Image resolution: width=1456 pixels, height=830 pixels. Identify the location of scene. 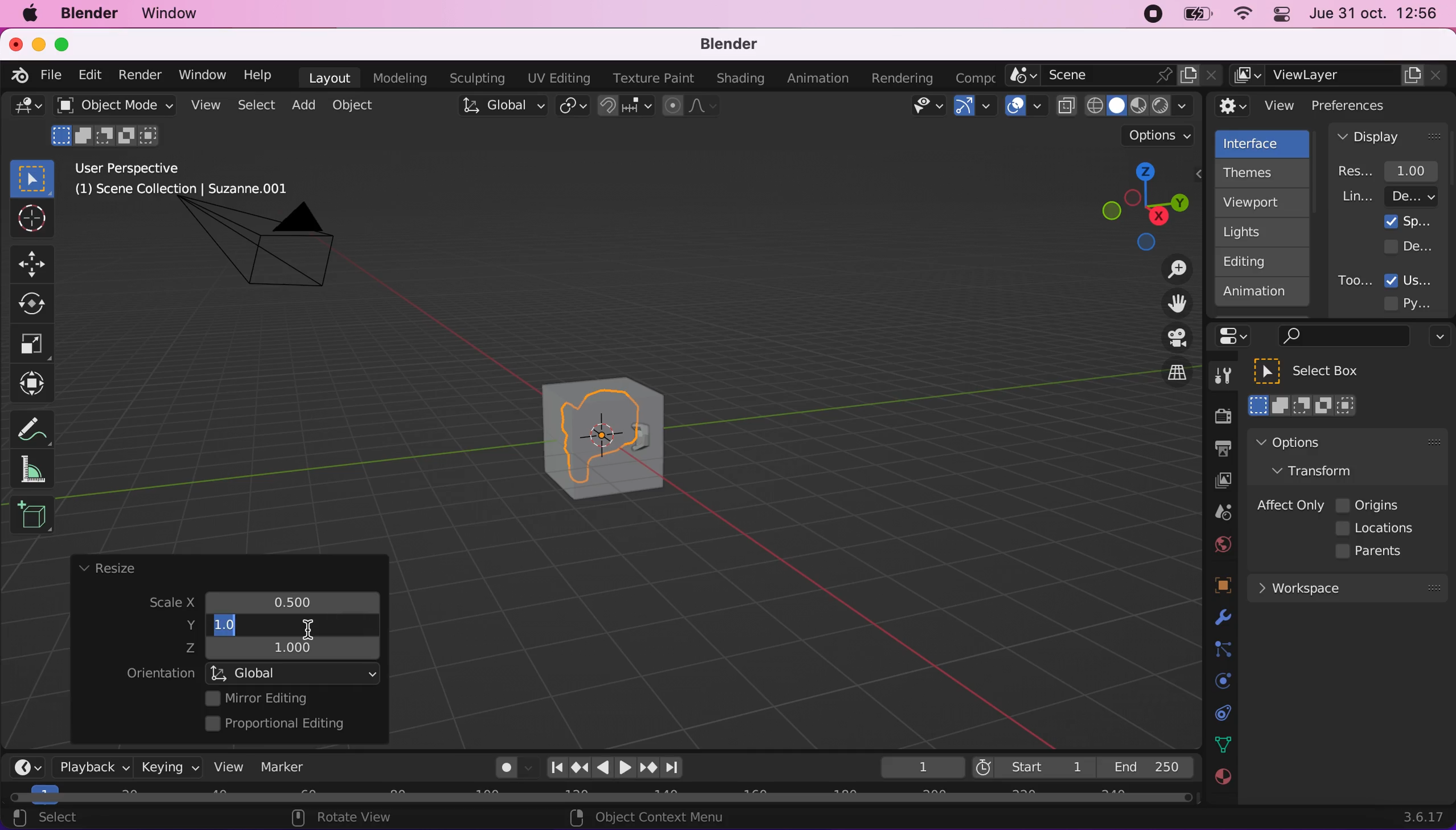
(1218, 513).